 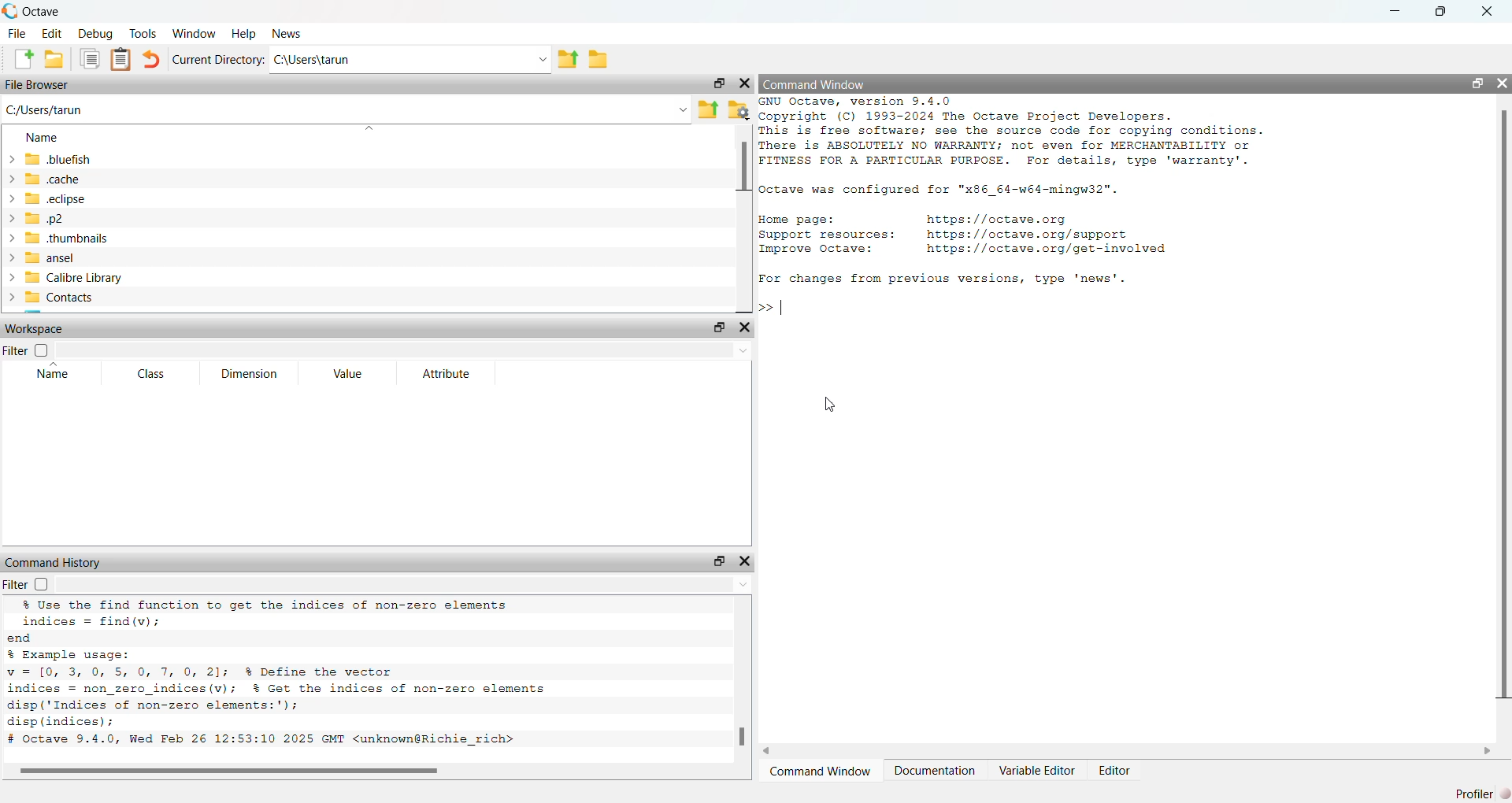 What do you see at coordinates (46, 260) in the screenshot?
I see `ansel` at bounding box center [46, 260].